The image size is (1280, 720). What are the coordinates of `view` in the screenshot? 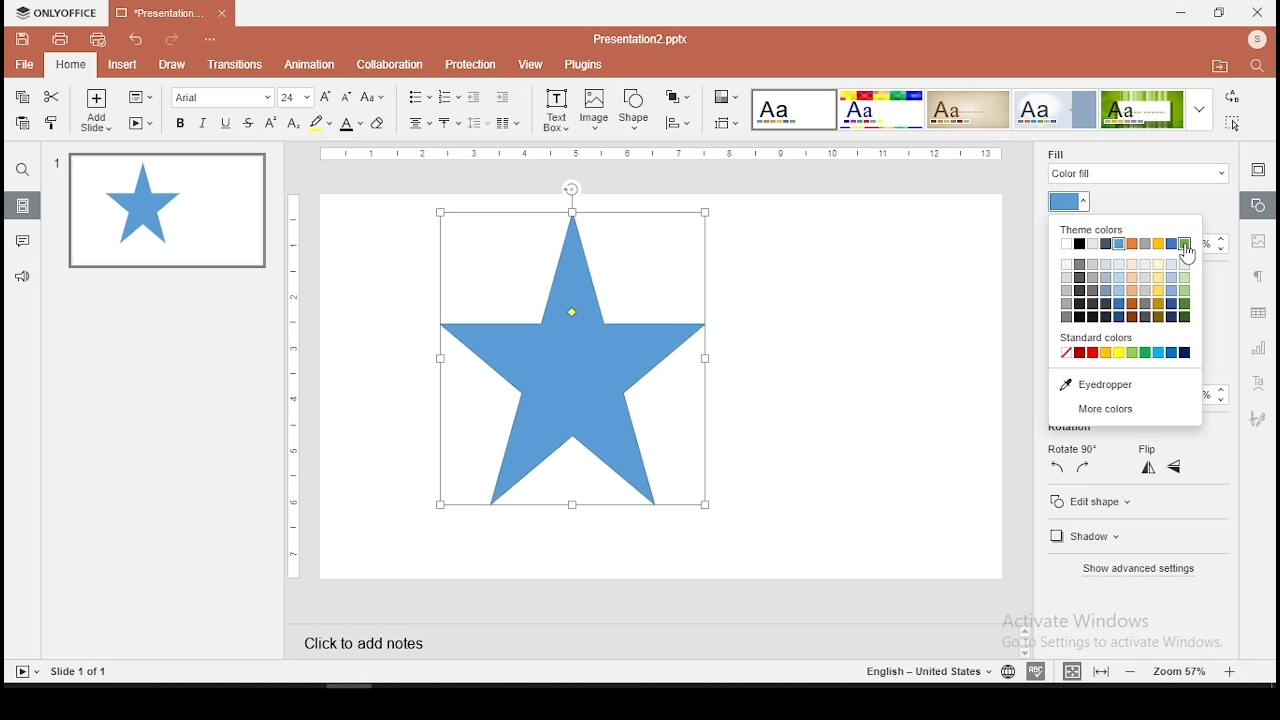 It's located at (528, 65).